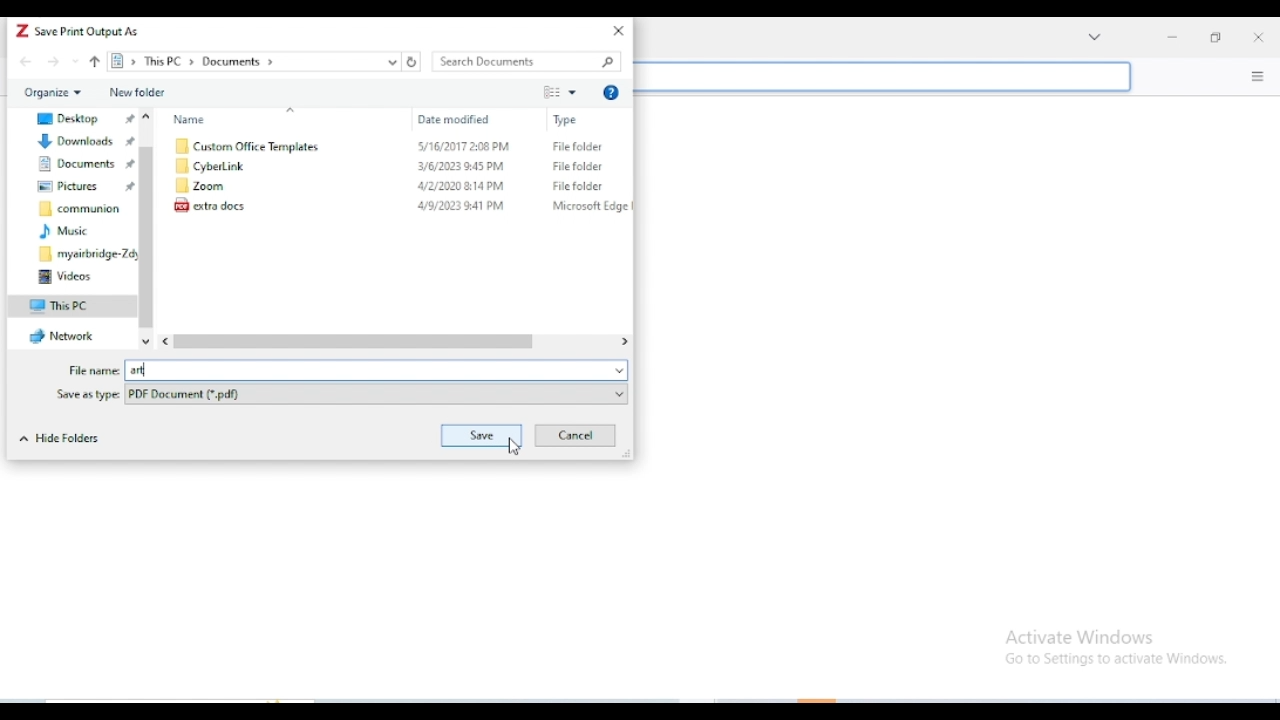 The width and height of the screenshot is (1280, 720). What do you see at coordinates (611, 93) in the screenshot?
I see `get help` at bounding box center [611, 93].